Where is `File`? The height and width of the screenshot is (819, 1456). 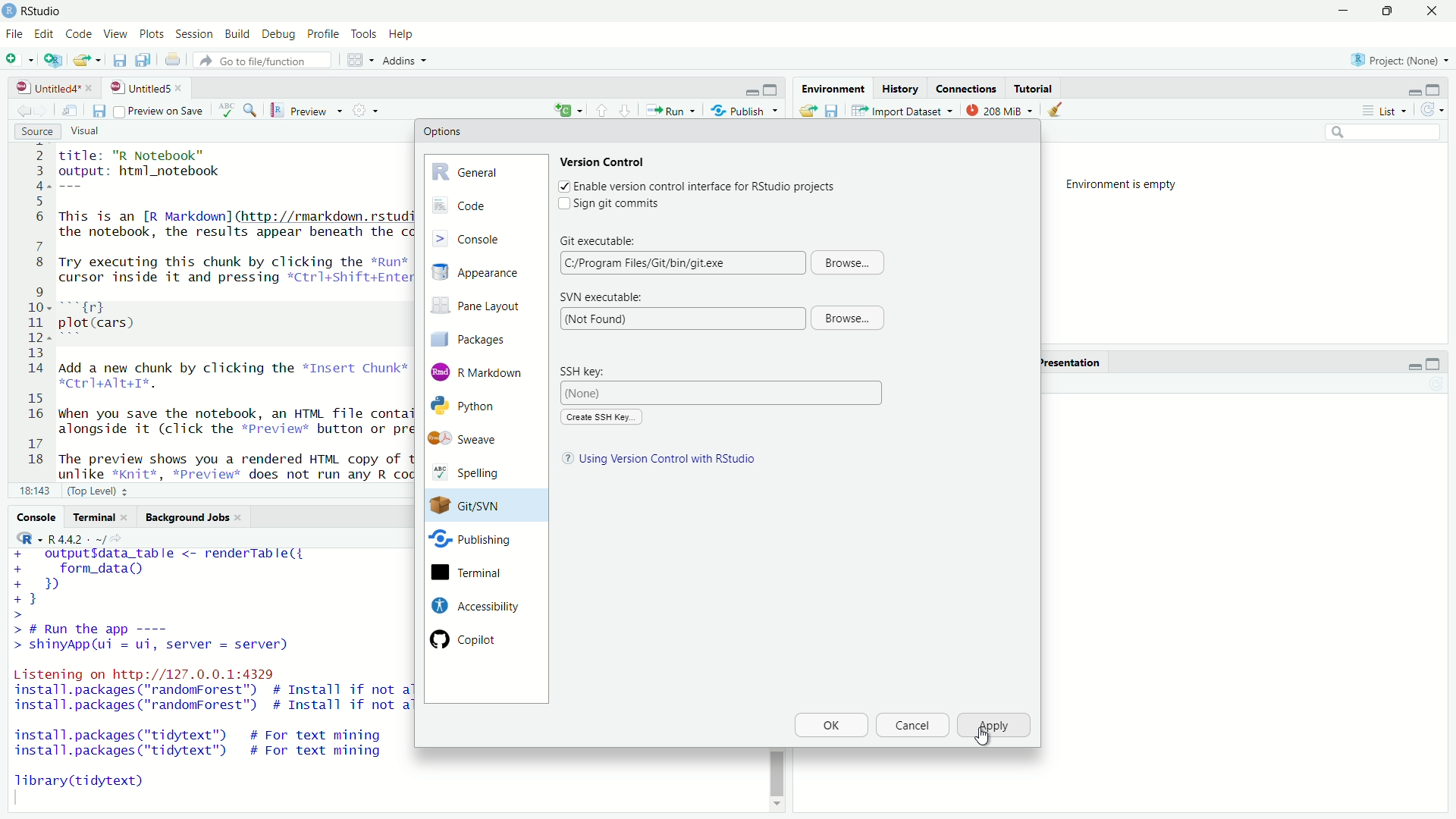
File is located at coordinates (14, 33).